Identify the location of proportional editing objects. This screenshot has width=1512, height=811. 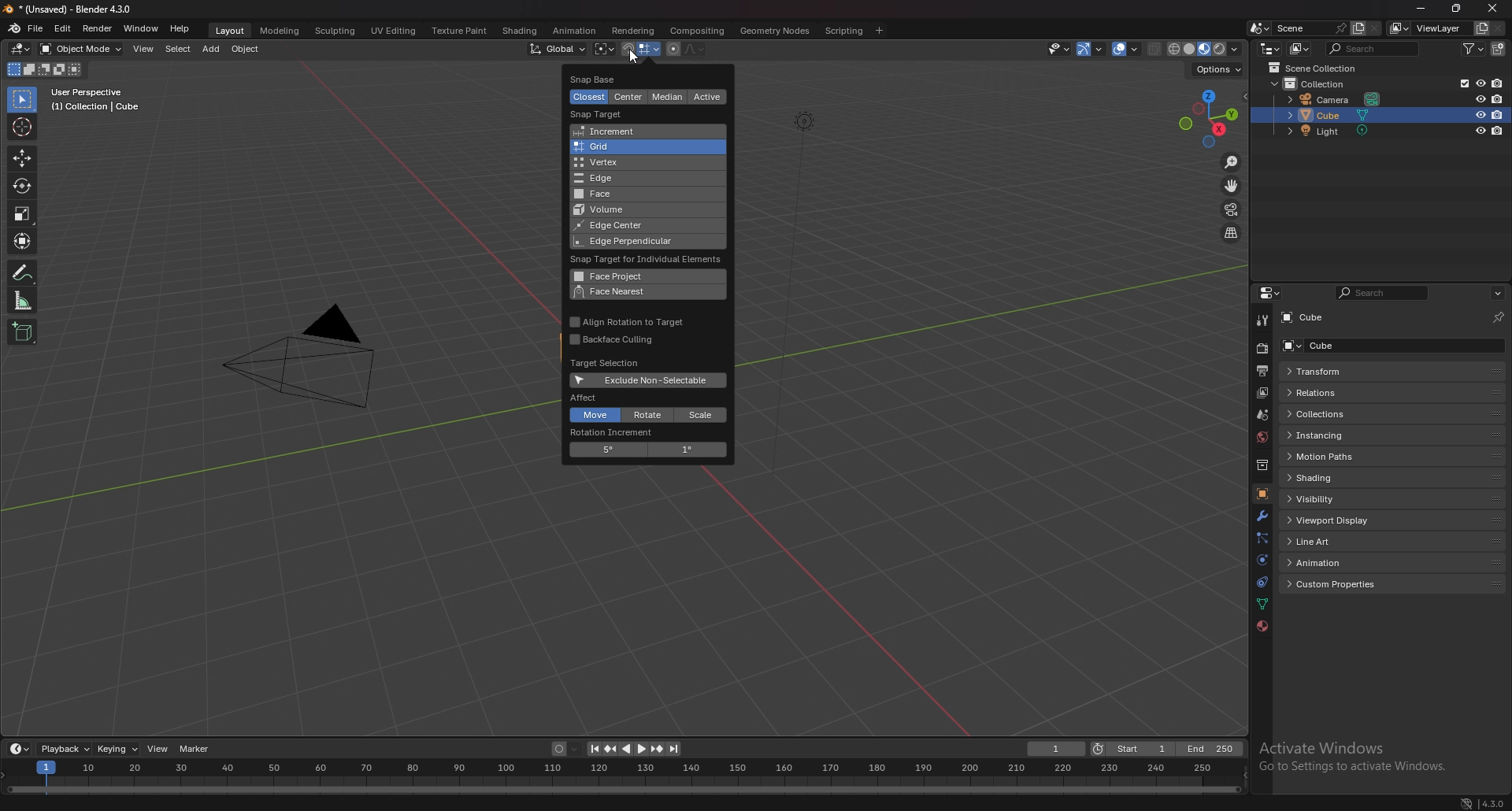
(673, 50).